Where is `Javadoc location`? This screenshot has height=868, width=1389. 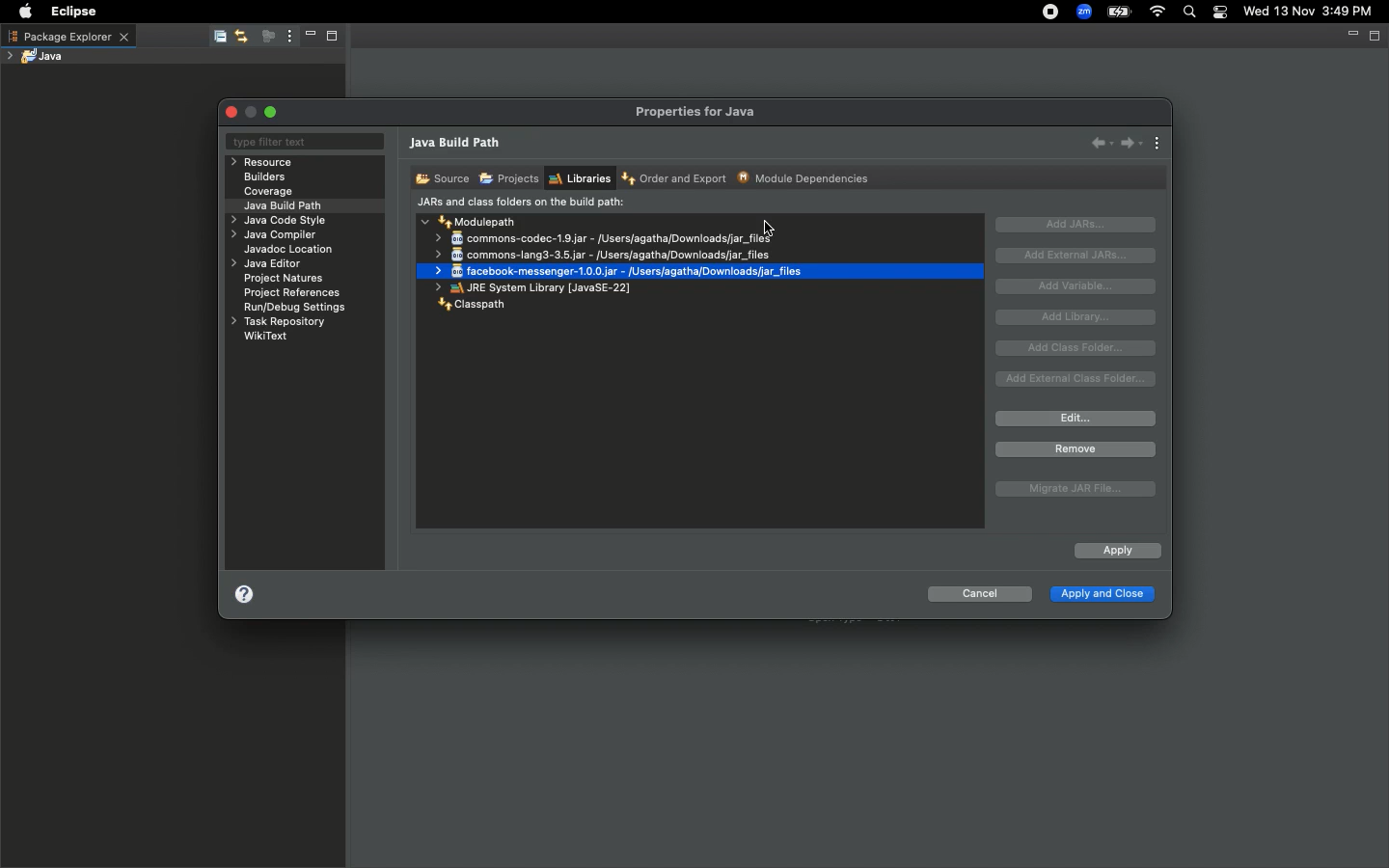
Javadoc location is located at coordinates (290, 251).